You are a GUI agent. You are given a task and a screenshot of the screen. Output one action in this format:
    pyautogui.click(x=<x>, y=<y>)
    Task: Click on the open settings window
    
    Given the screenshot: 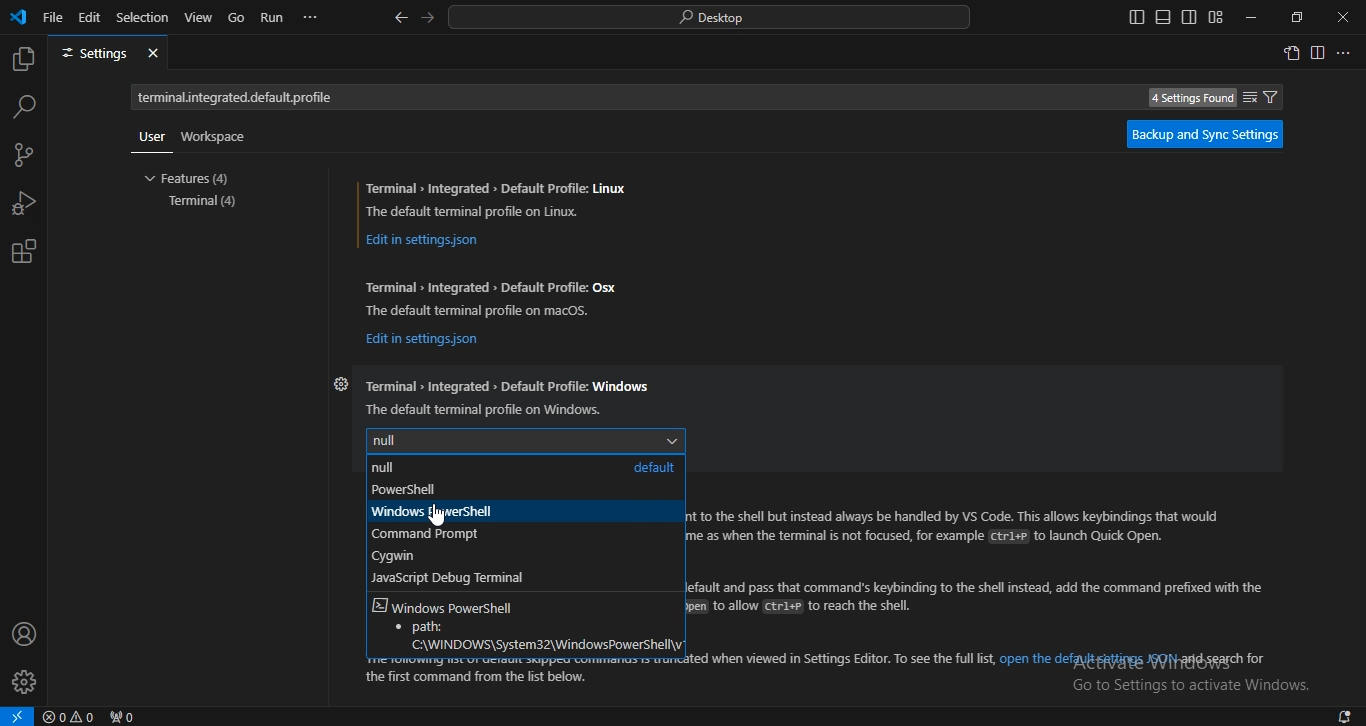 What is the action you would take?
    pyautogui.click(x=1291, y=53)
    